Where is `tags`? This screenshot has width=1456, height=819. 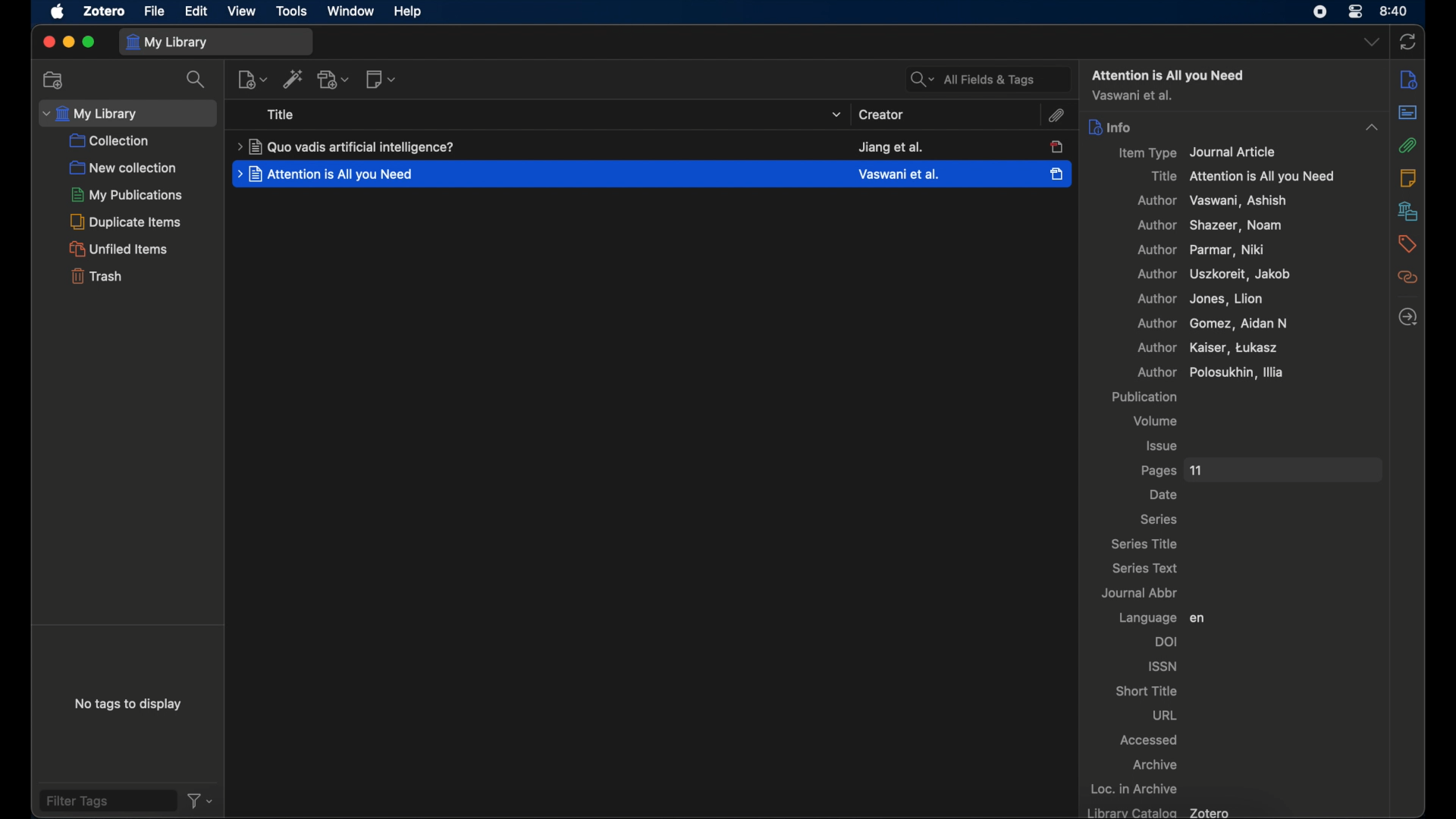
tags is located at coordinates (1407, 243).